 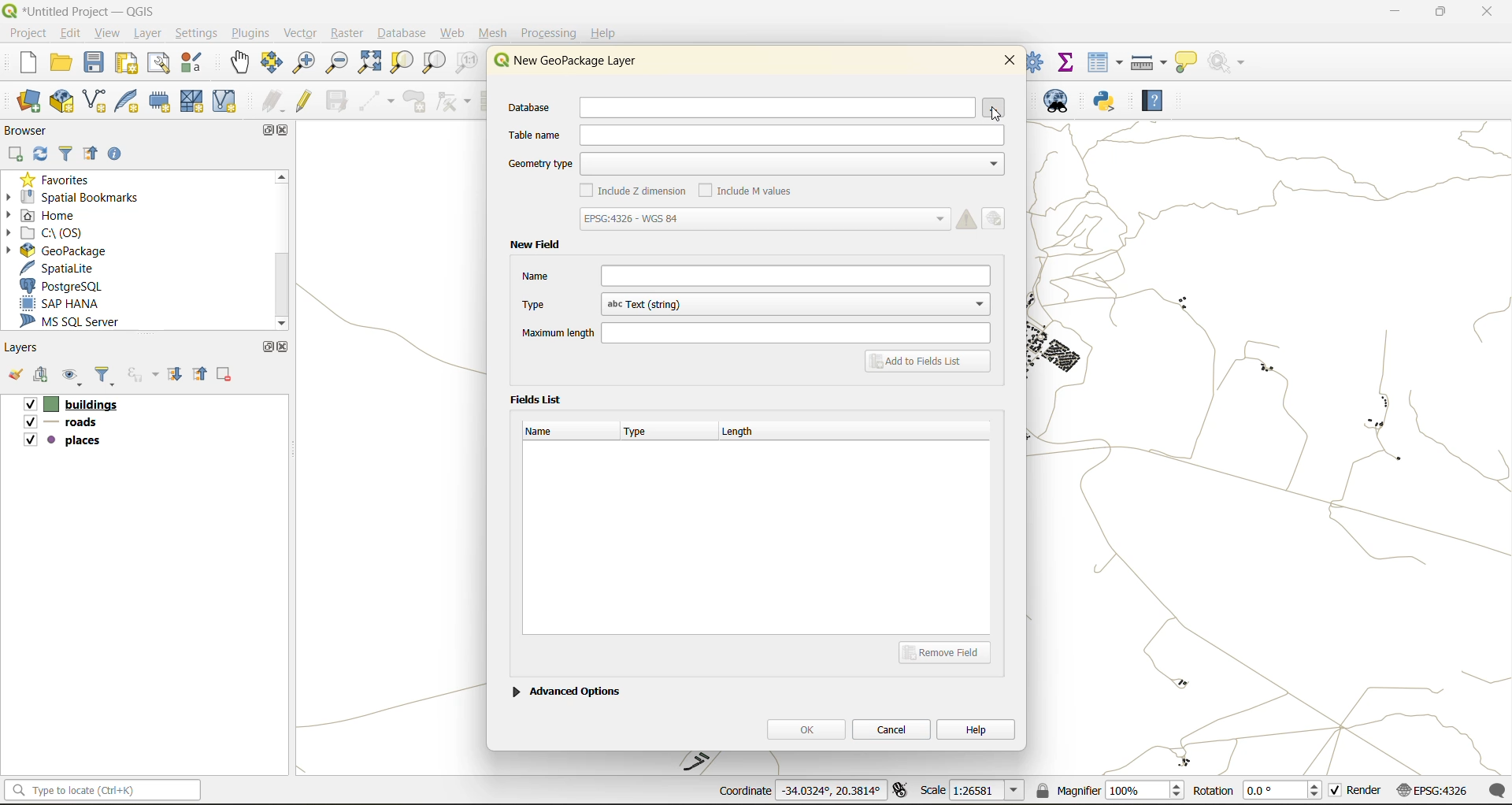 What do you see at coordinates (1106, 63) in the screenshot?
I see `attributes table` at bounding box center [1106, 63].